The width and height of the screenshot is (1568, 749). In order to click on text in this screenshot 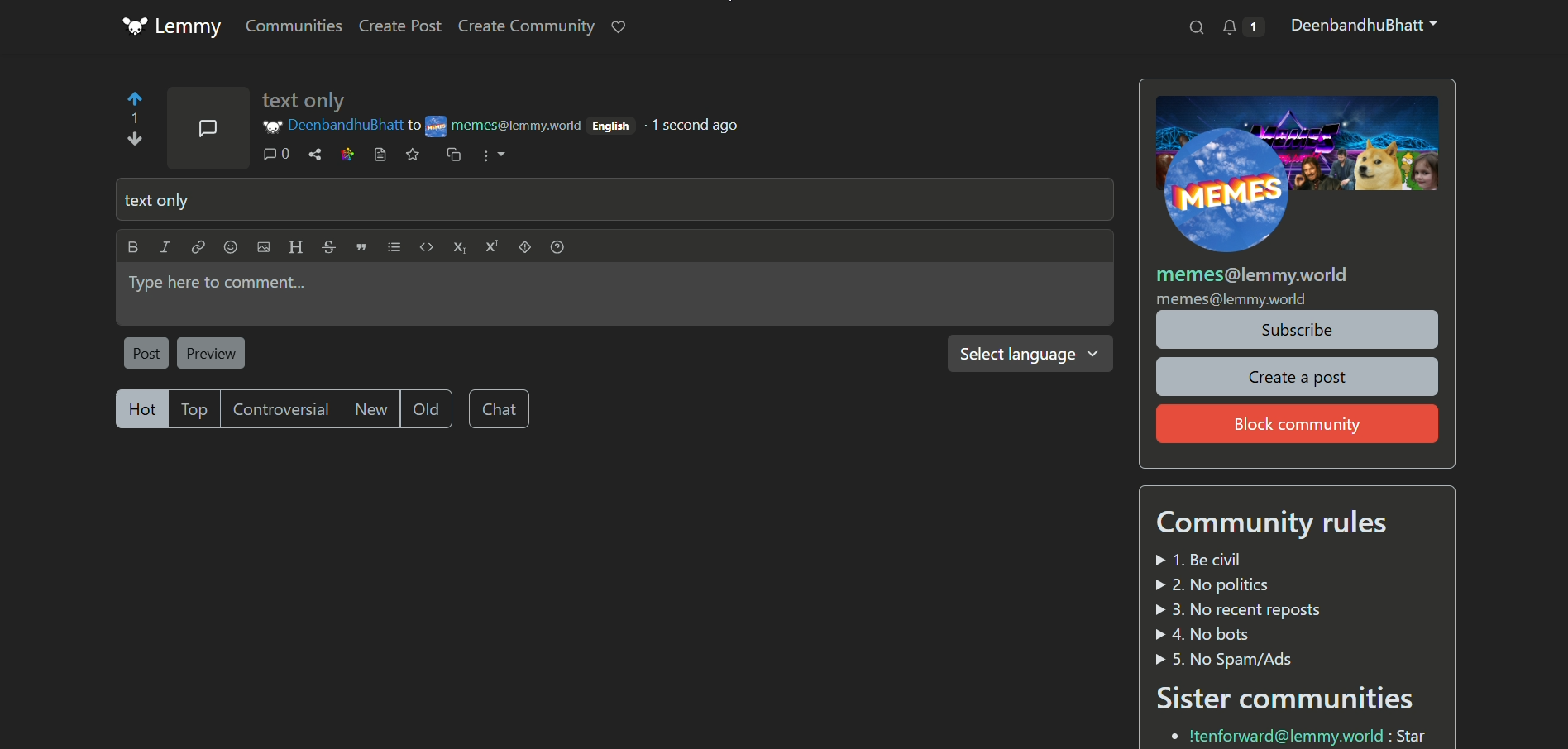, I will do `click(1286, 698)`.